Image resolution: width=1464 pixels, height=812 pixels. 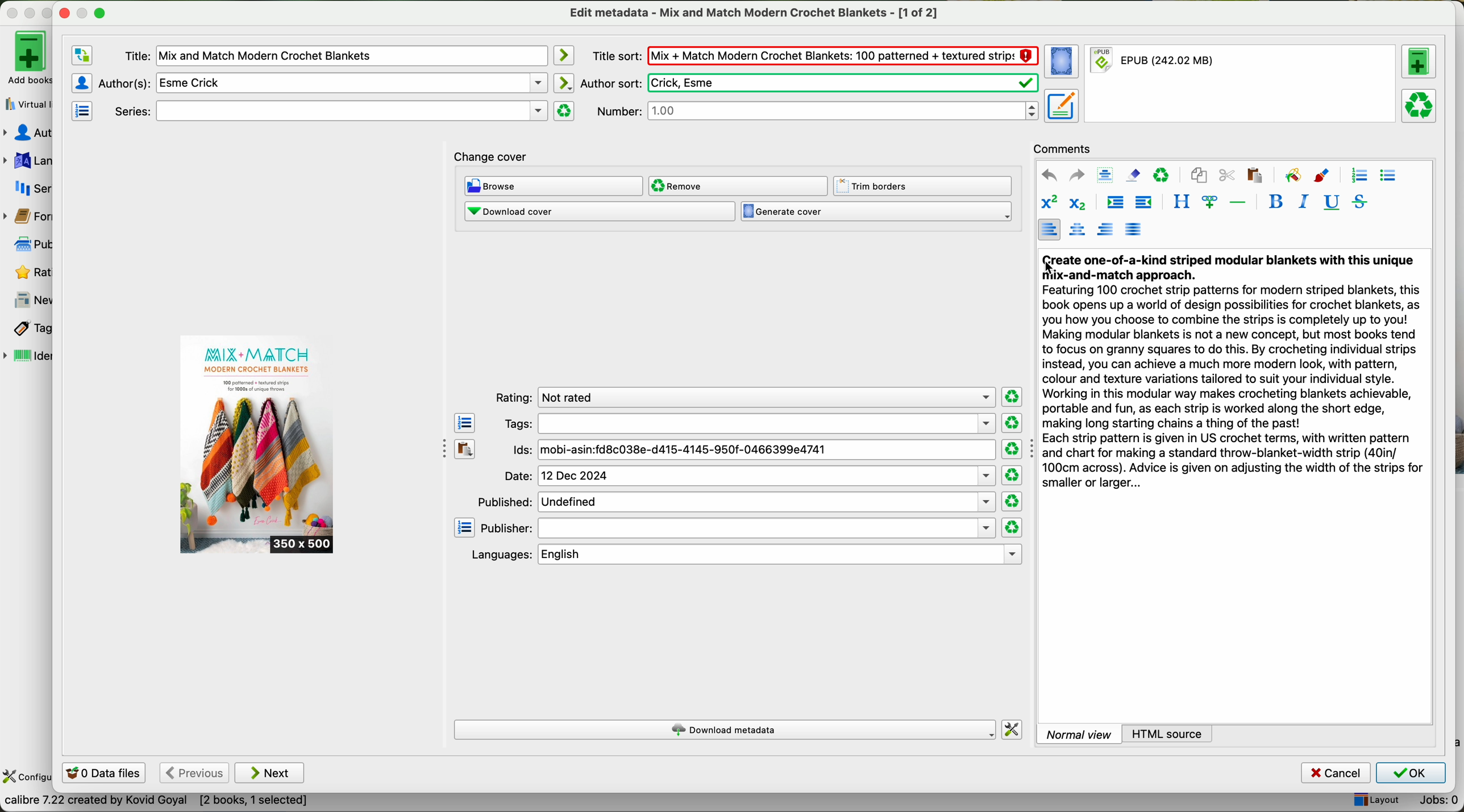 What do you see at coordinates (86, 12) in the screenshot?
I see `disable minimize window` at bounding box center [86, 12].